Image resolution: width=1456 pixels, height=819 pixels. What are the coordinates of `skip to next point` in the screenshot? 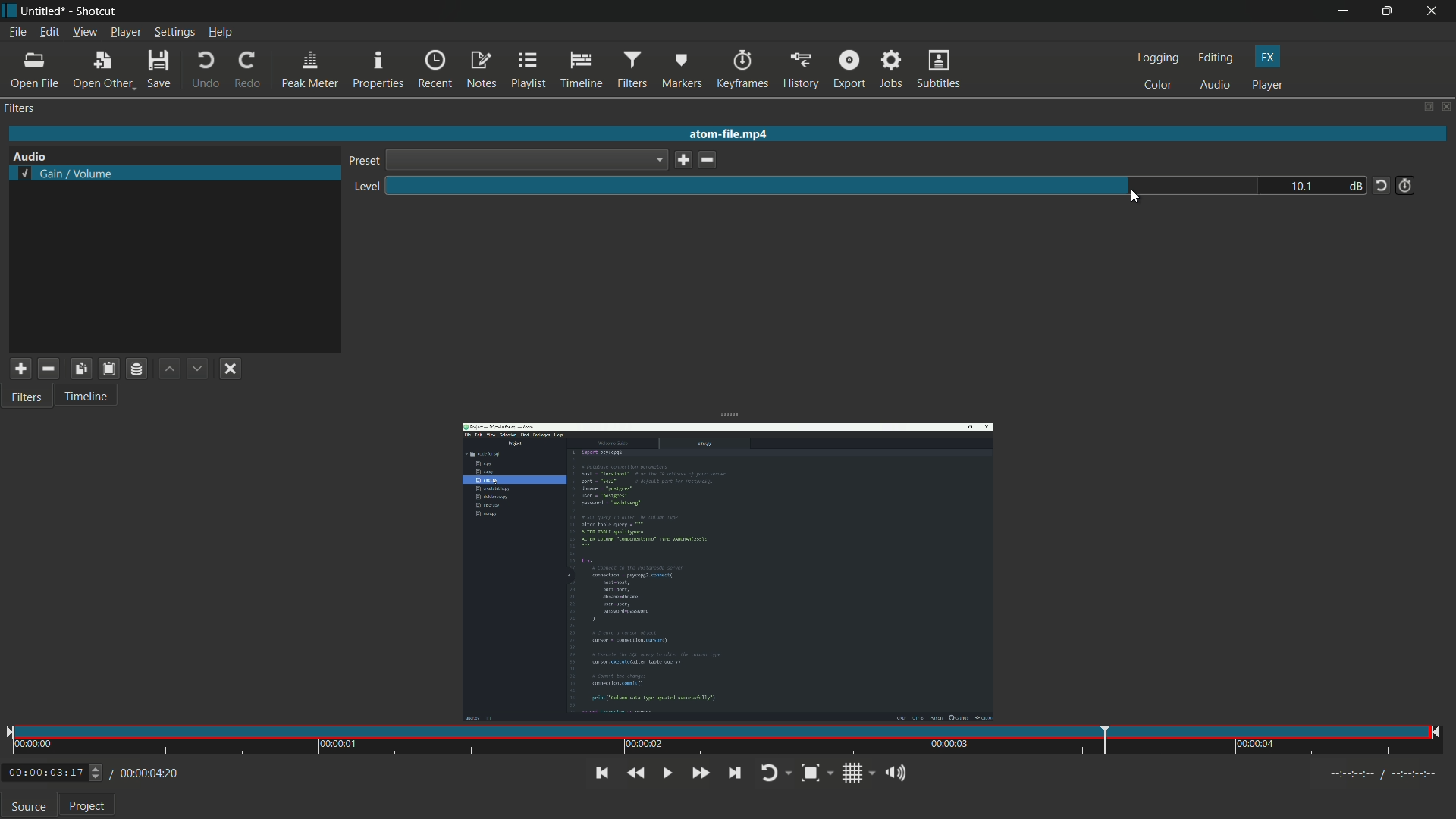 It's located at (734, 773).